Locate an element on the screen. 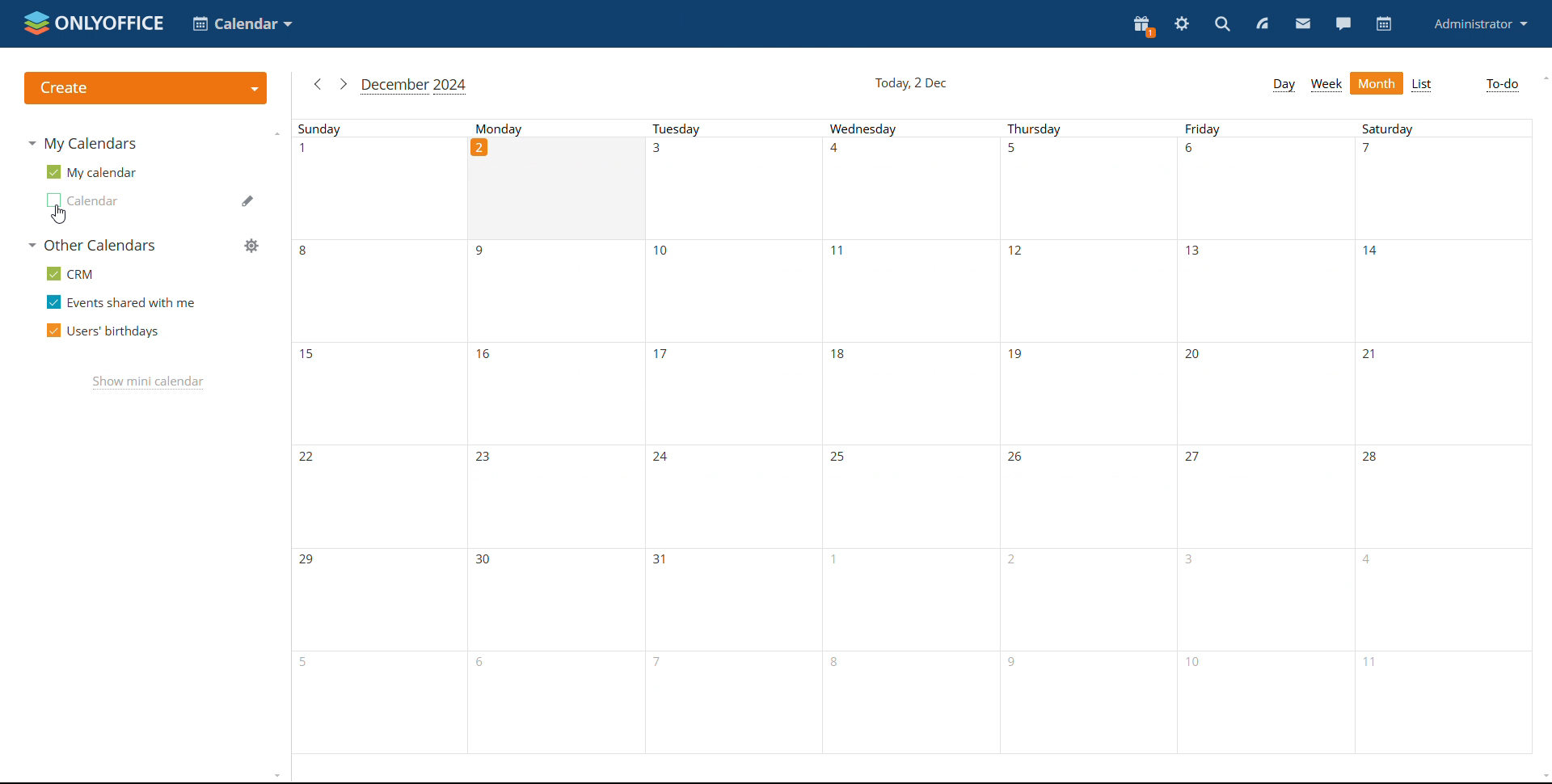  logo is located at coordinates (94, 23).